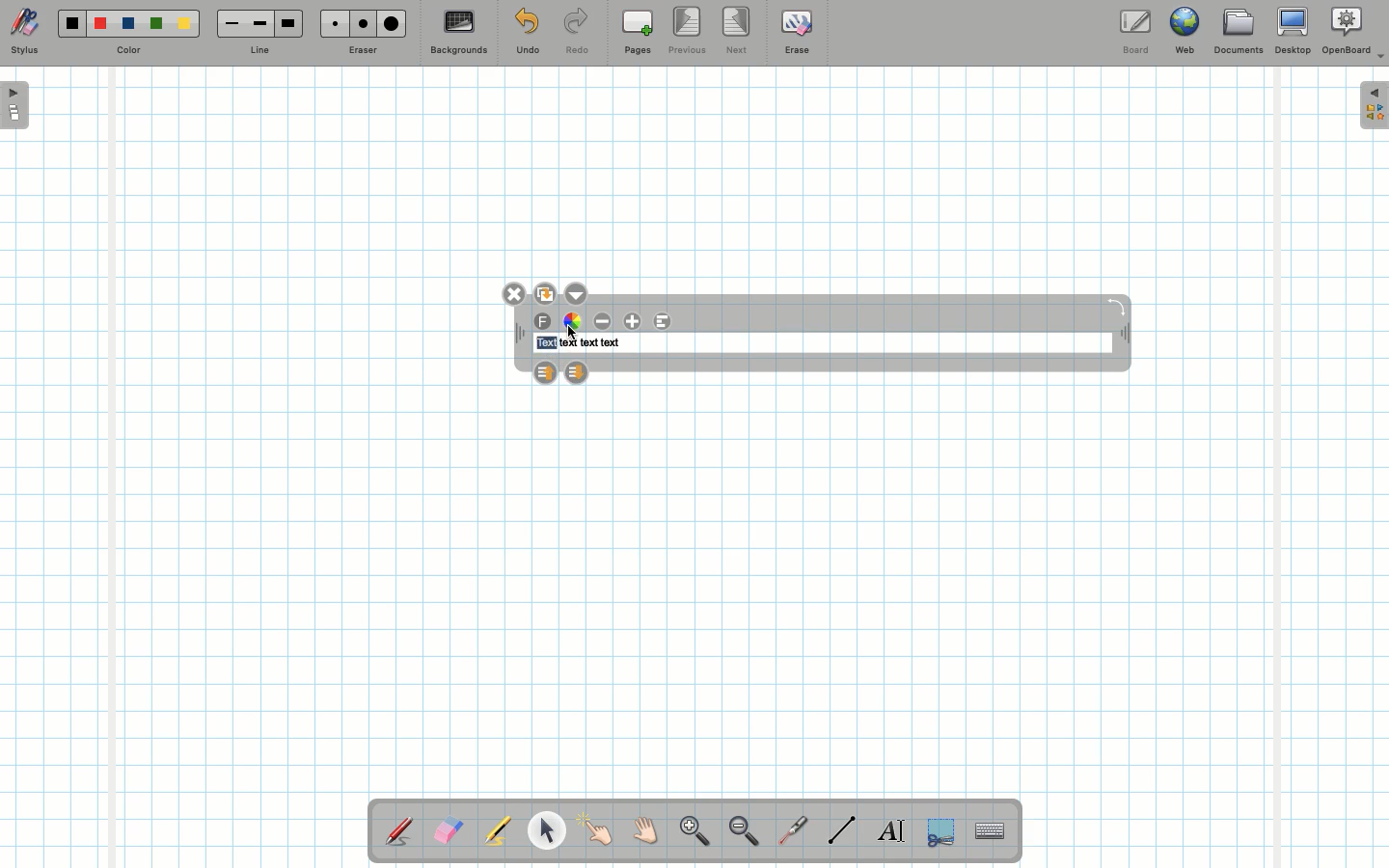 The image size is (1389, 868). Describe the element at coordinates (126, 51) in the screenshot. I see `Color` at that location.